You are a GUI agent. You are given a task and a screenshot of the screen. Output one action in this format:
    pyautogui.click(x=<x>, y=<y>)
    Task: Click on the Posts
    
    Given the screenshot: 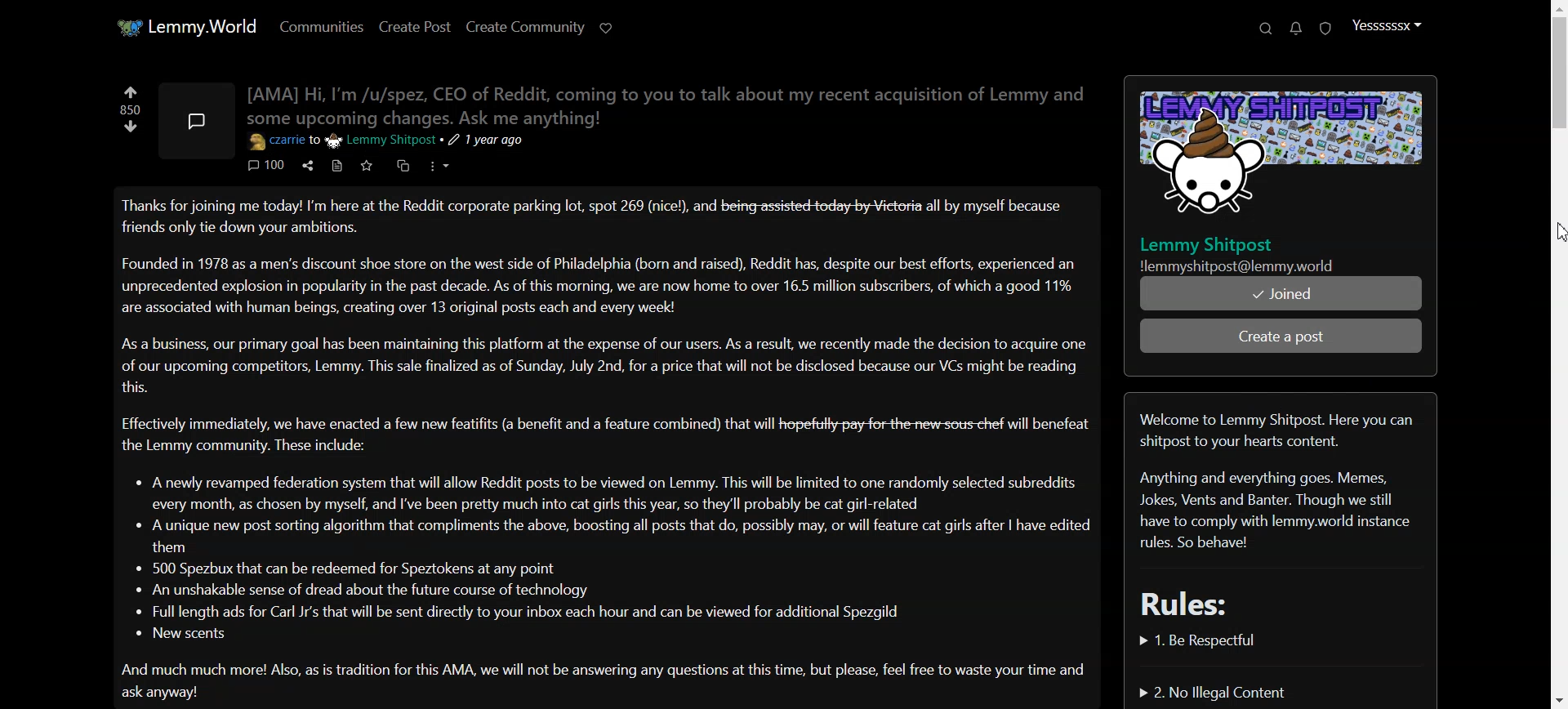 What is the action you would take?
    pyautogui.click(x=1279, y=149)
    